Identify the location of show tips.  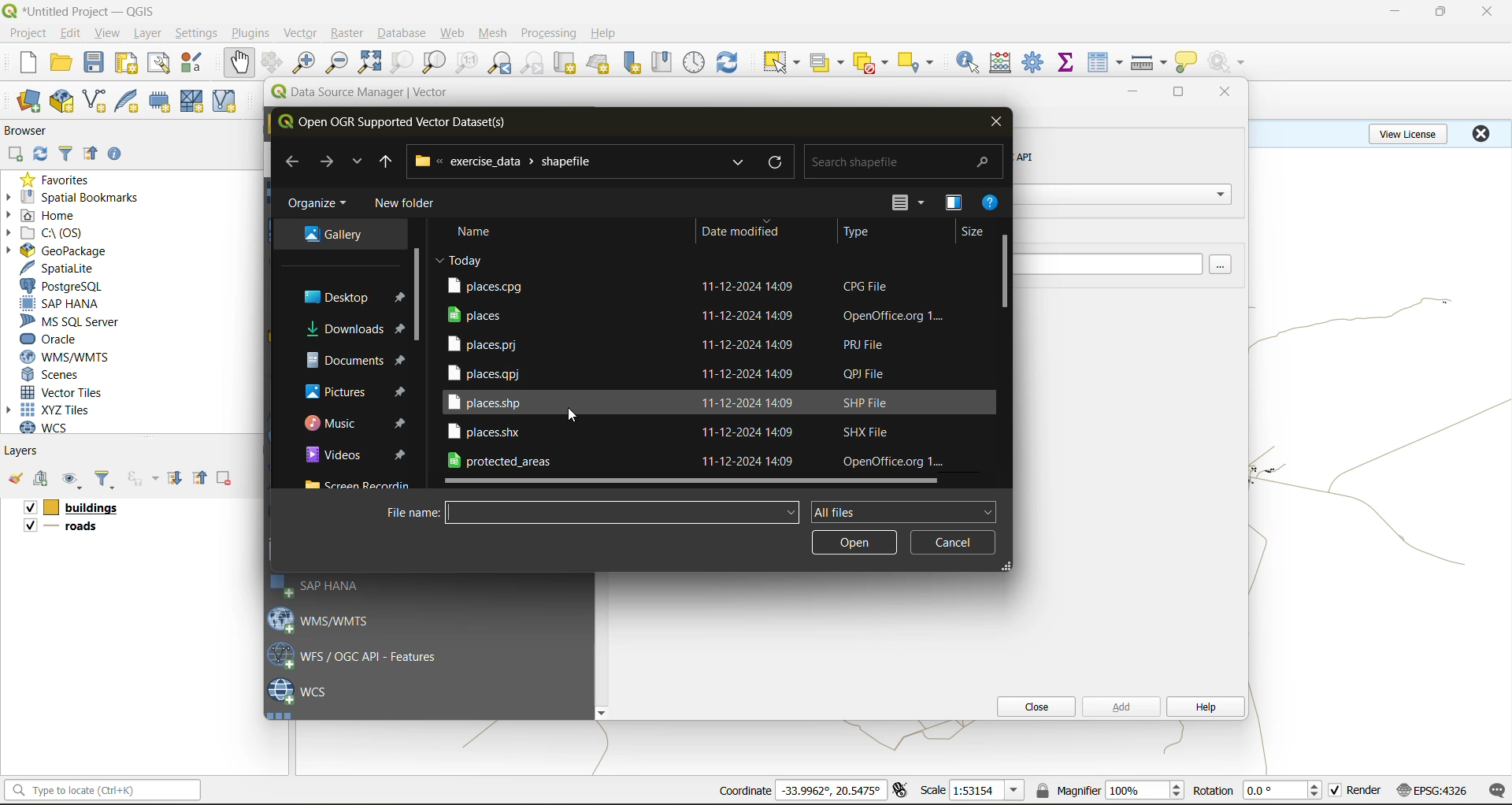
(1187, 63).